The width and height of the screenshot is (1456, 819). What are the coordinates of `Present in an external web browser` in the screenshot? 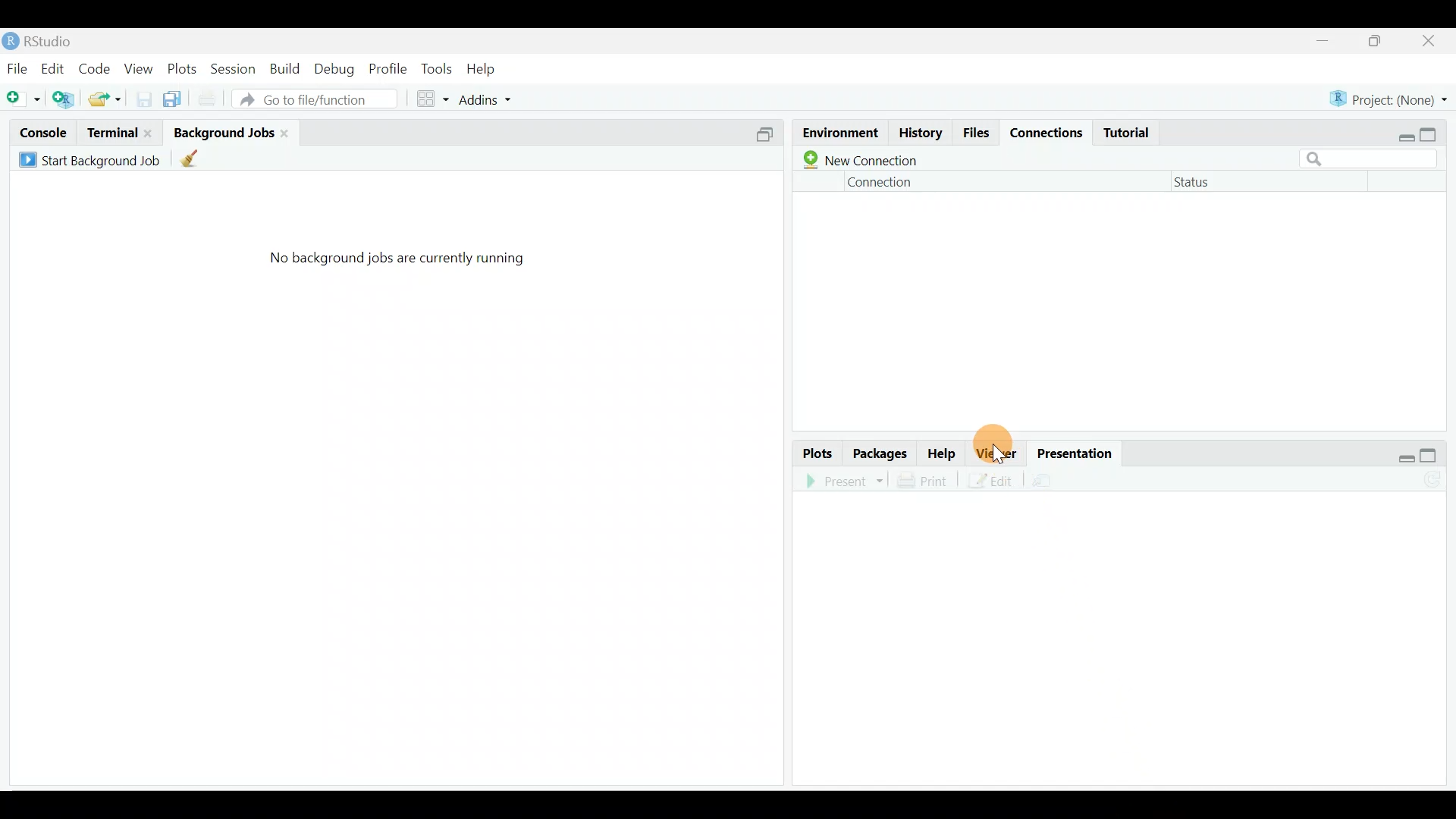 It's located at (846, 478).